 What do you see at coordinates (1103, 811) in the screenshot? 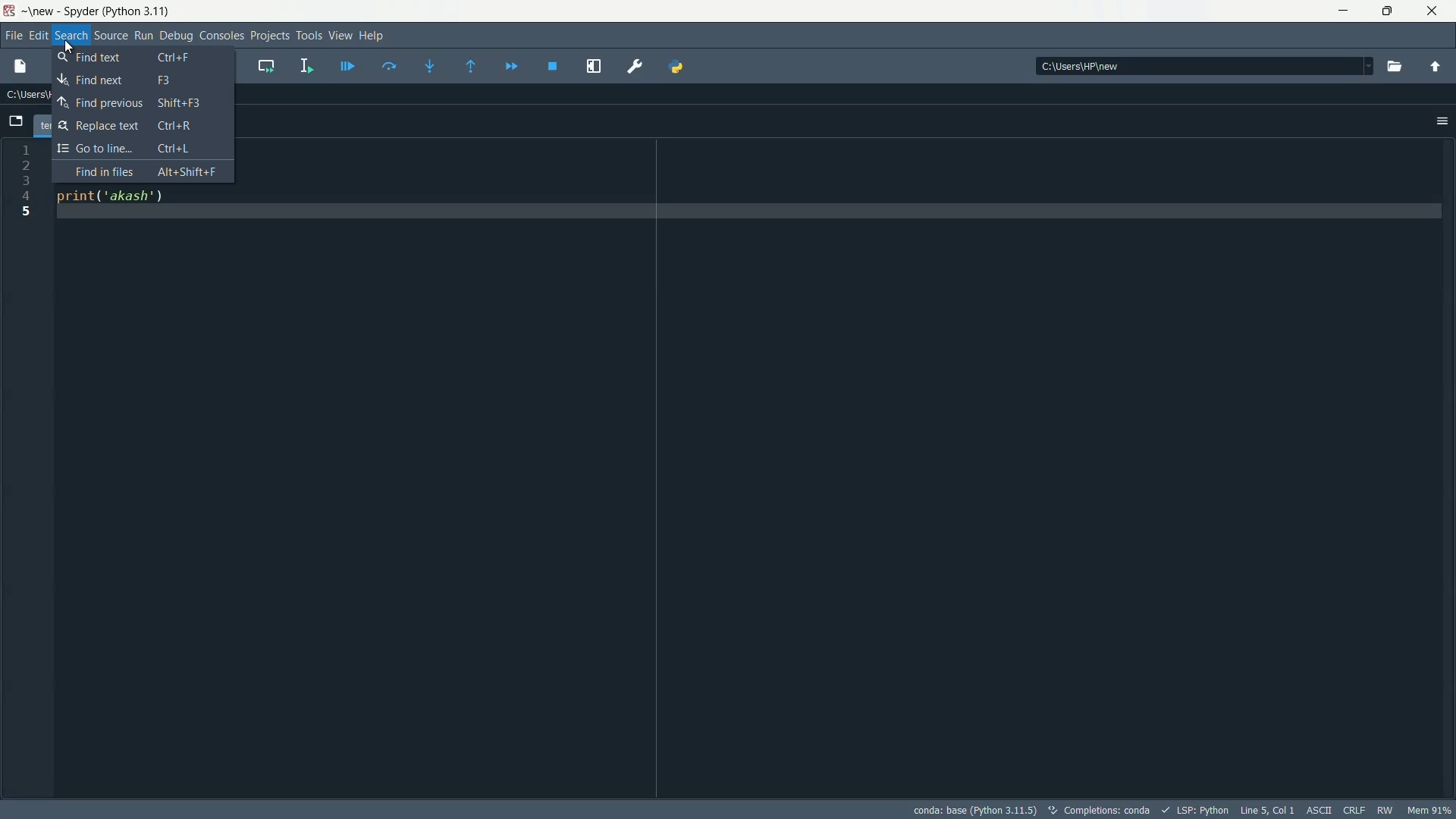
I see `Completions: conda` at bounding box center [1103, 811].